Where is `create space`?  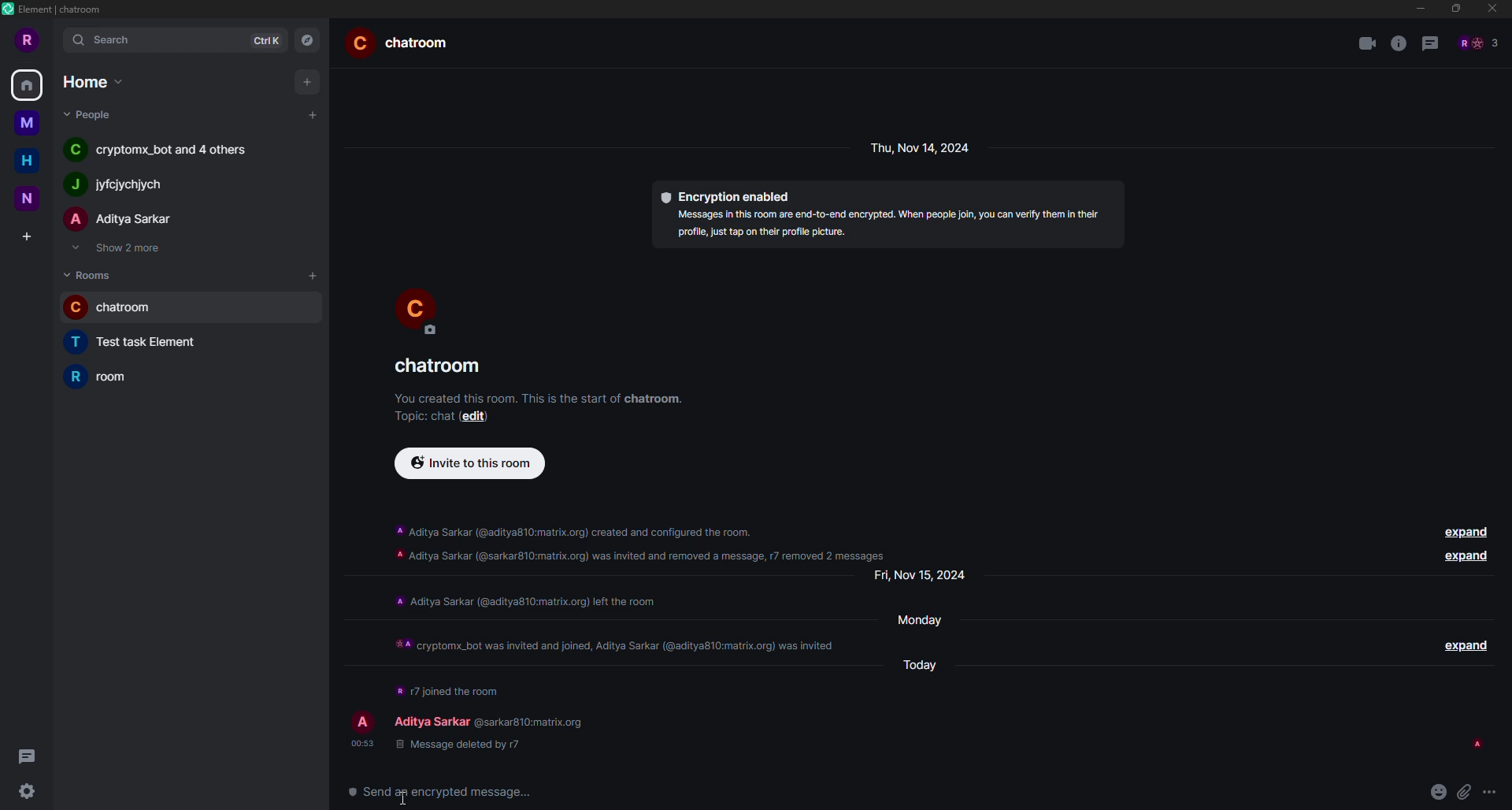
create space is located at coordinates (24, 236).